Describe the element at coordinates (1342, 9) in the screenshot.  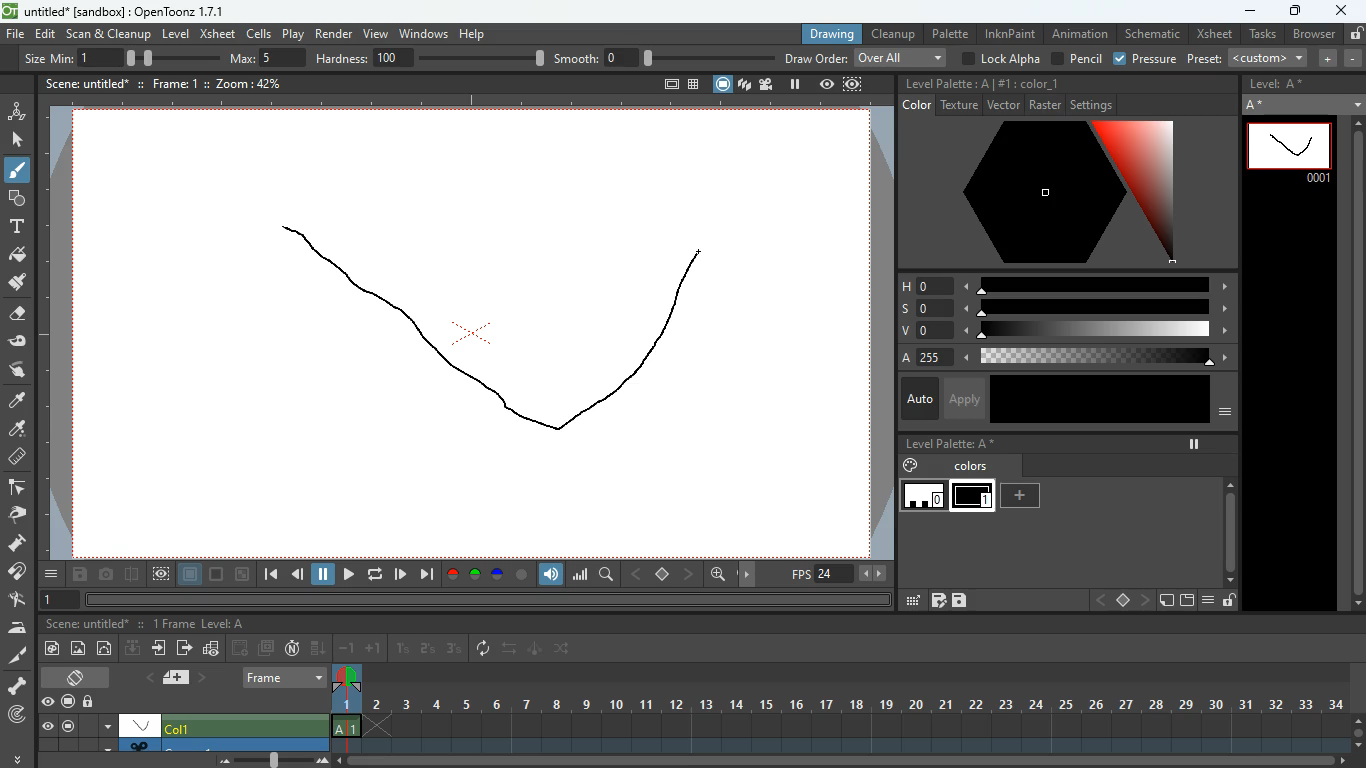
I see `close` at that location.